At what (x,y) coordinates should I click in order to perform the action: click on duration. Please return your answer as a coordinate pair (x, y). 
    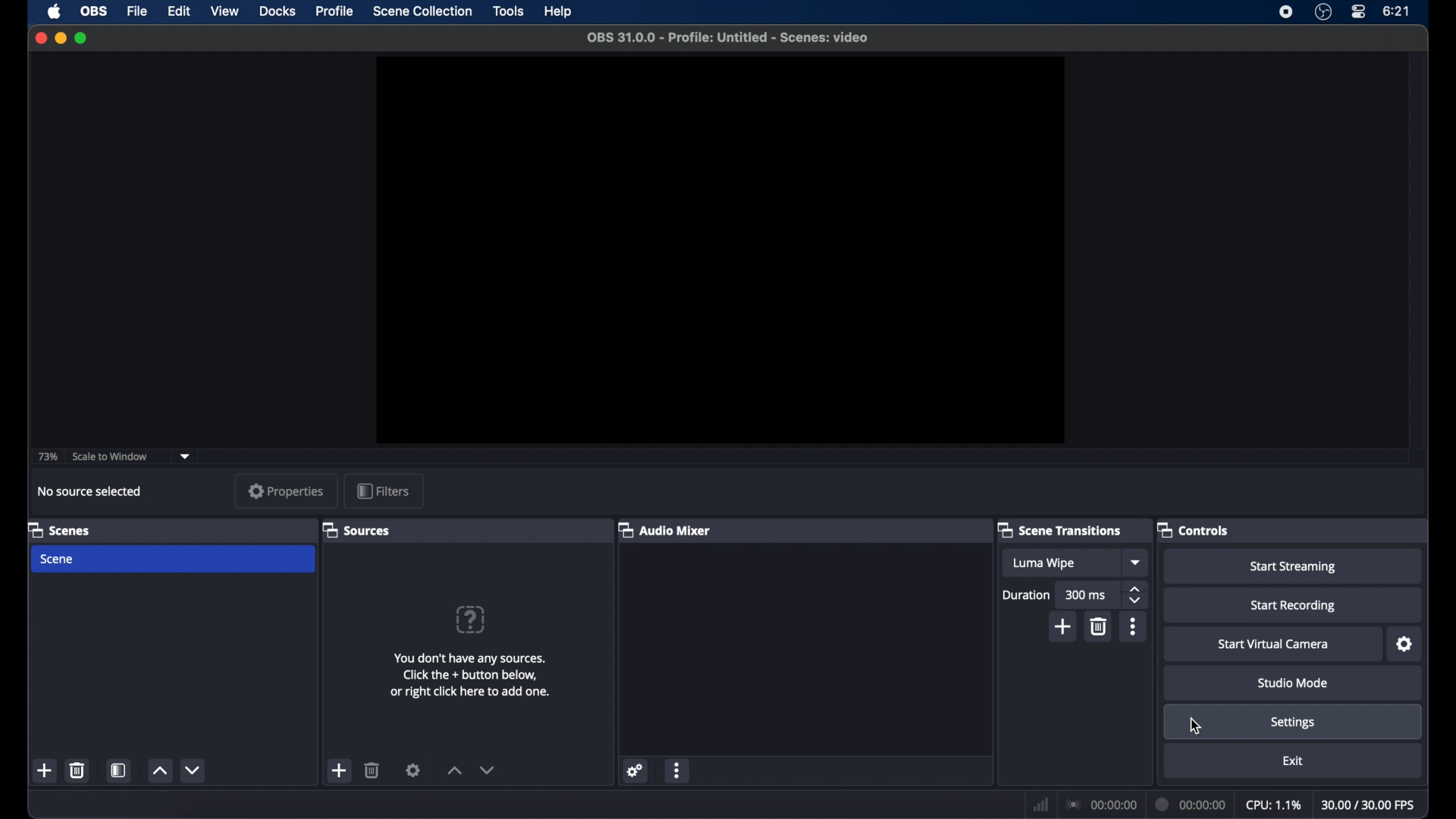
    Looking at the image, I should click on (1025, 595).